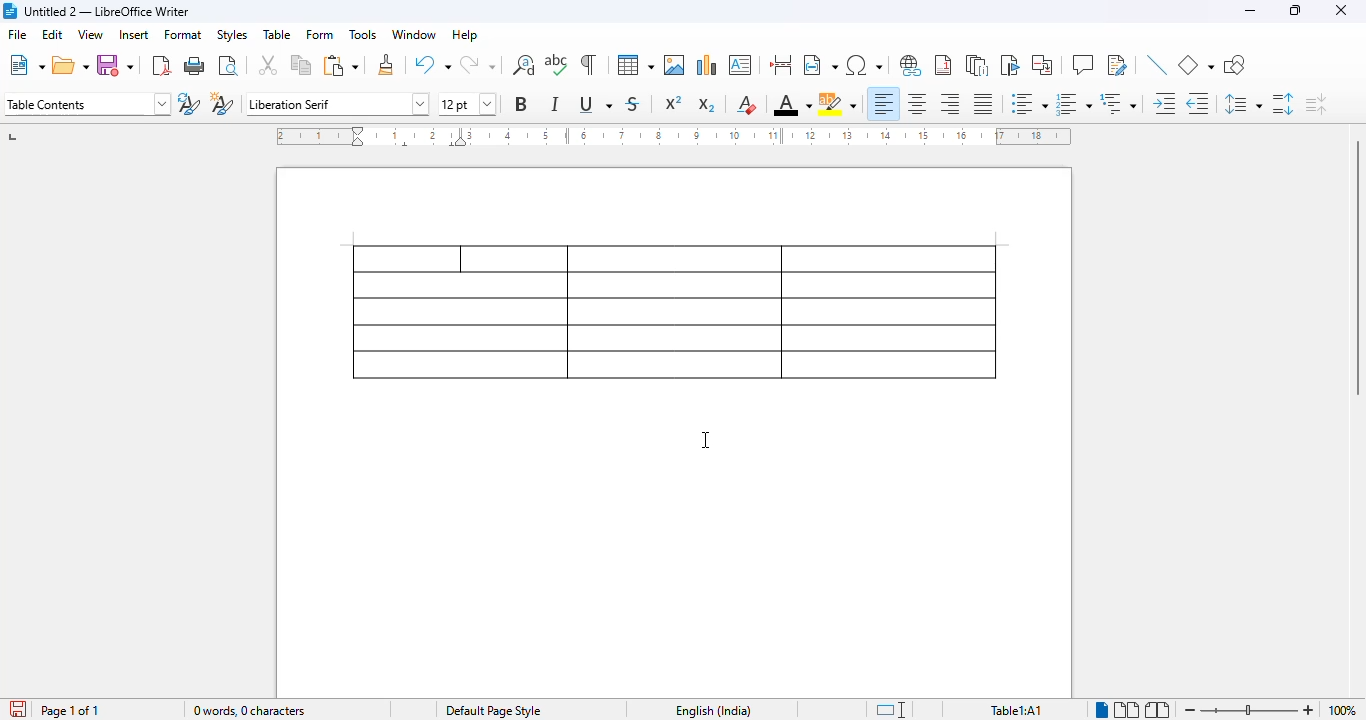  I want to click on table, so click(674, 314).